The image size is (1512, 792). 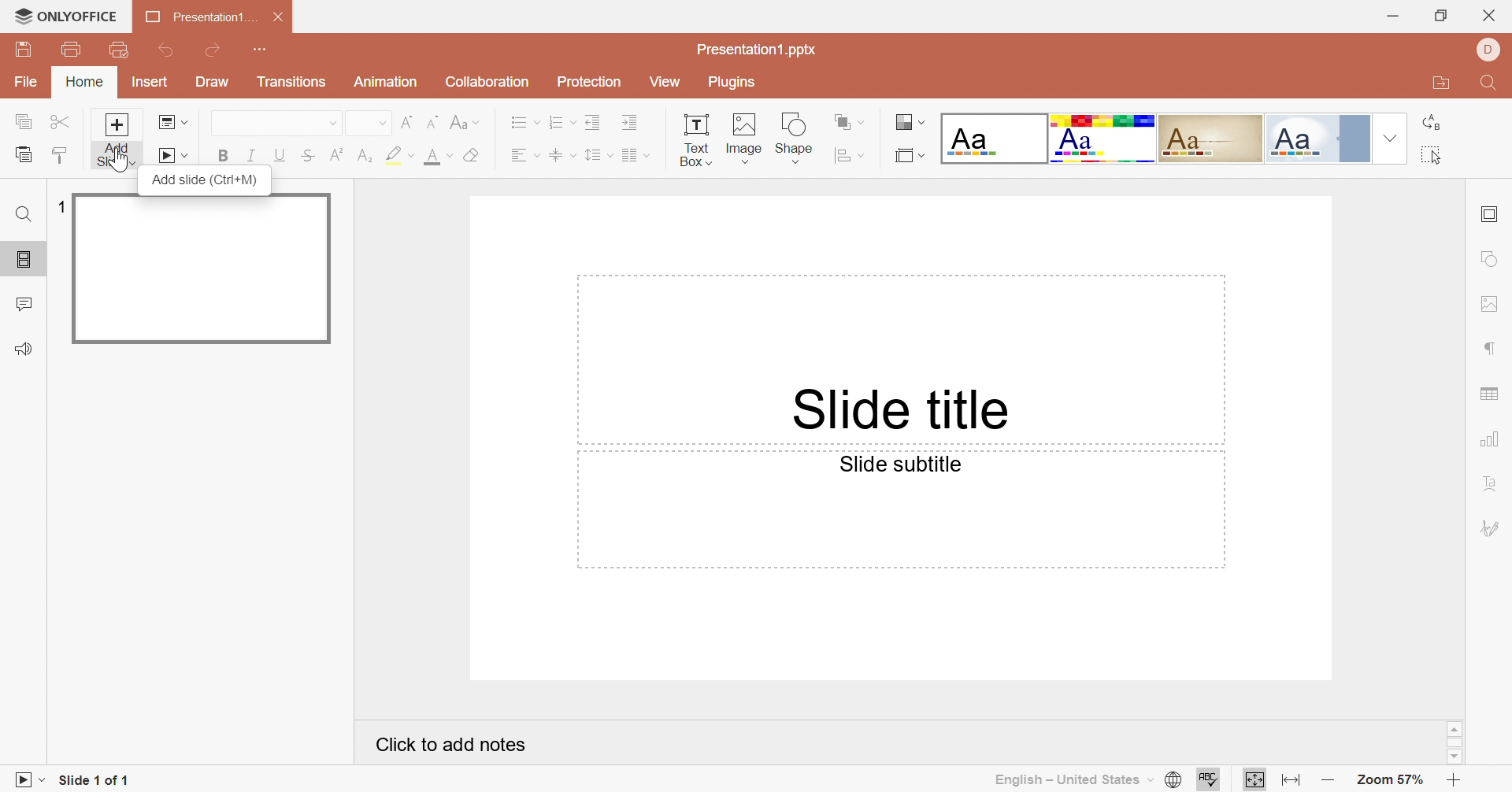 I want to click on Line spacing, so click(x=598, y=154).